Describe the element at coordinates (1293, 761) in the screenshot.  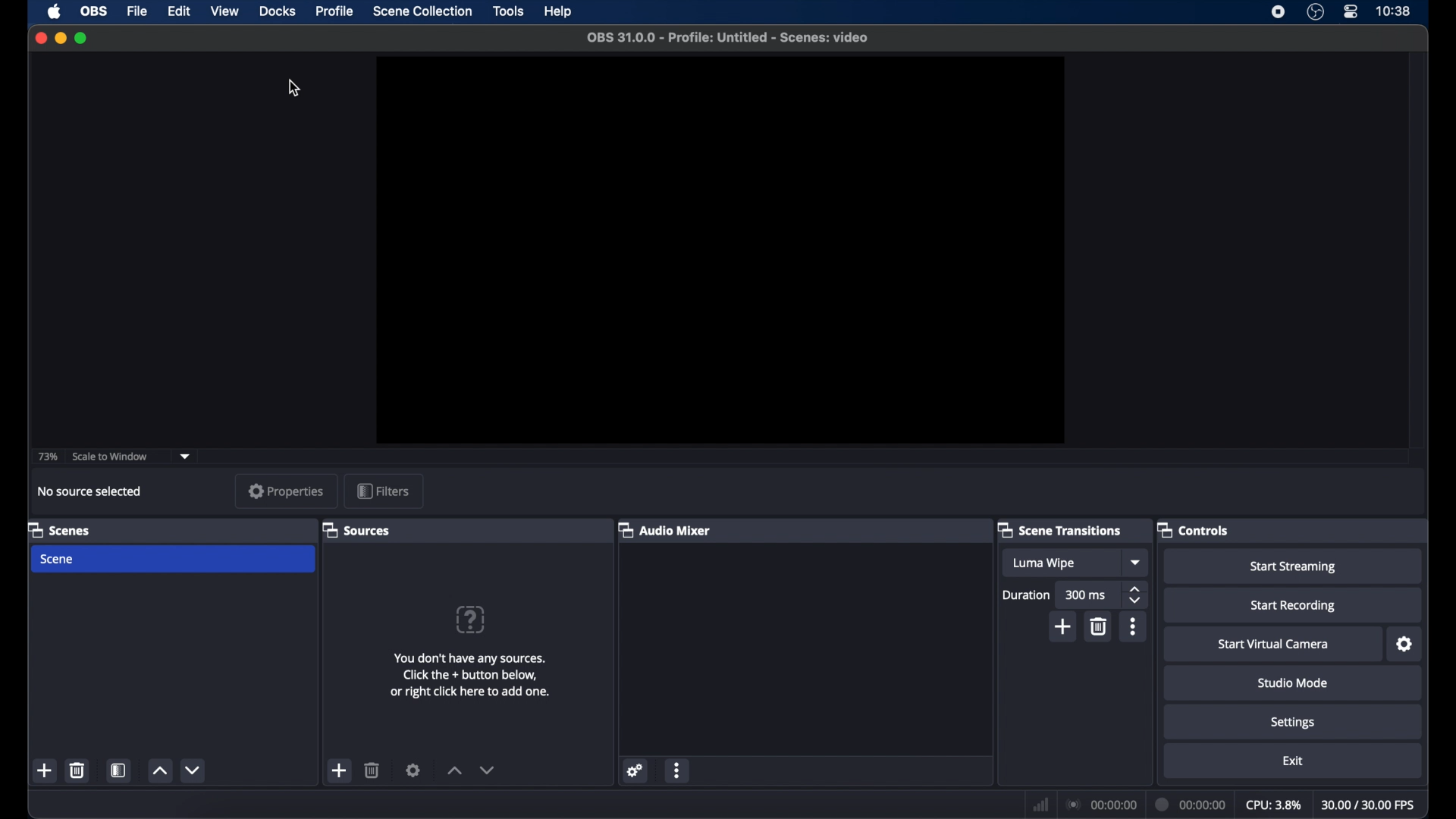
I see `exit` at that location.